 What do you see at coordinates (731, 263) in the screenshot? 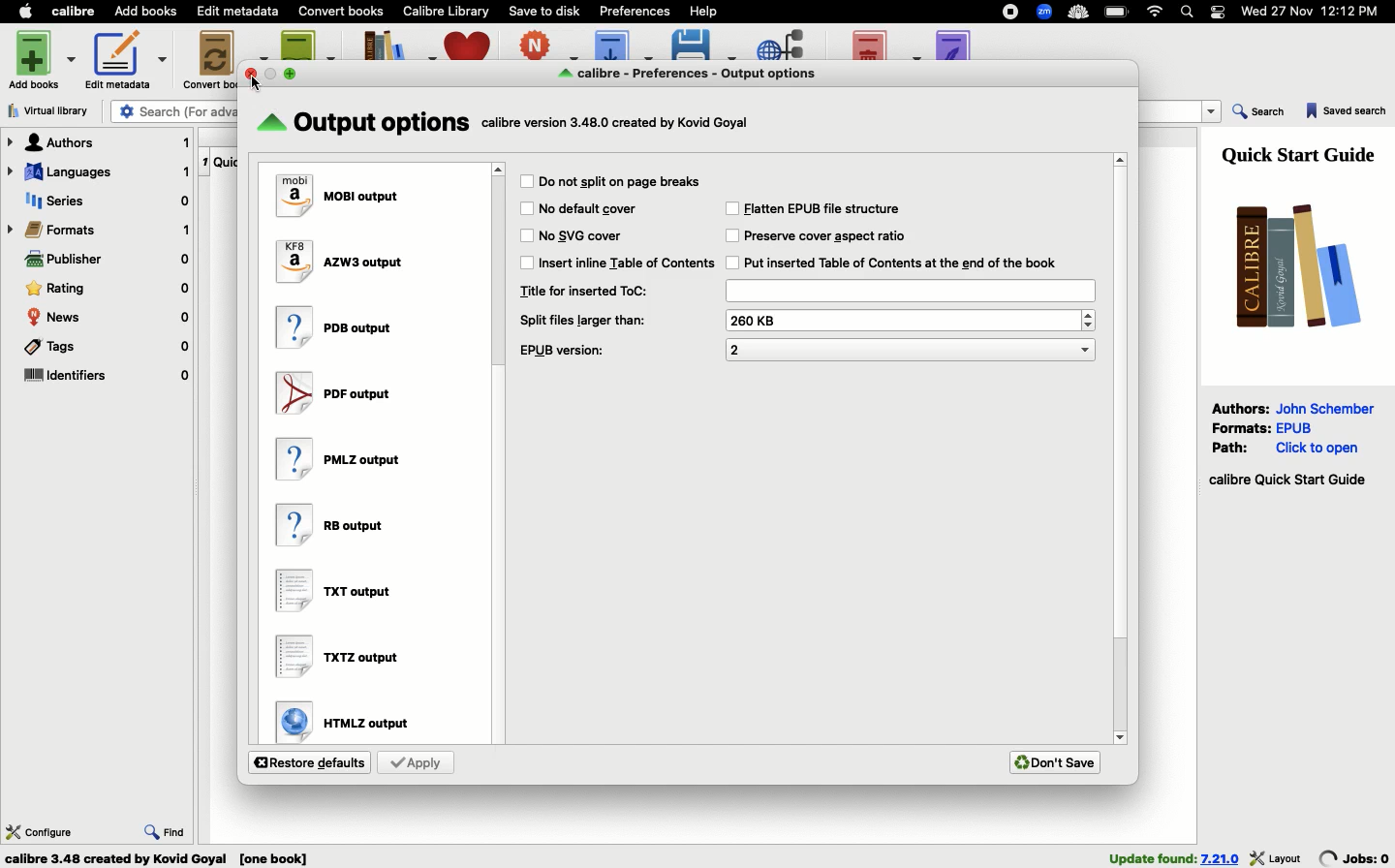
I see `Checkbox` at bounding box center [731, 263].